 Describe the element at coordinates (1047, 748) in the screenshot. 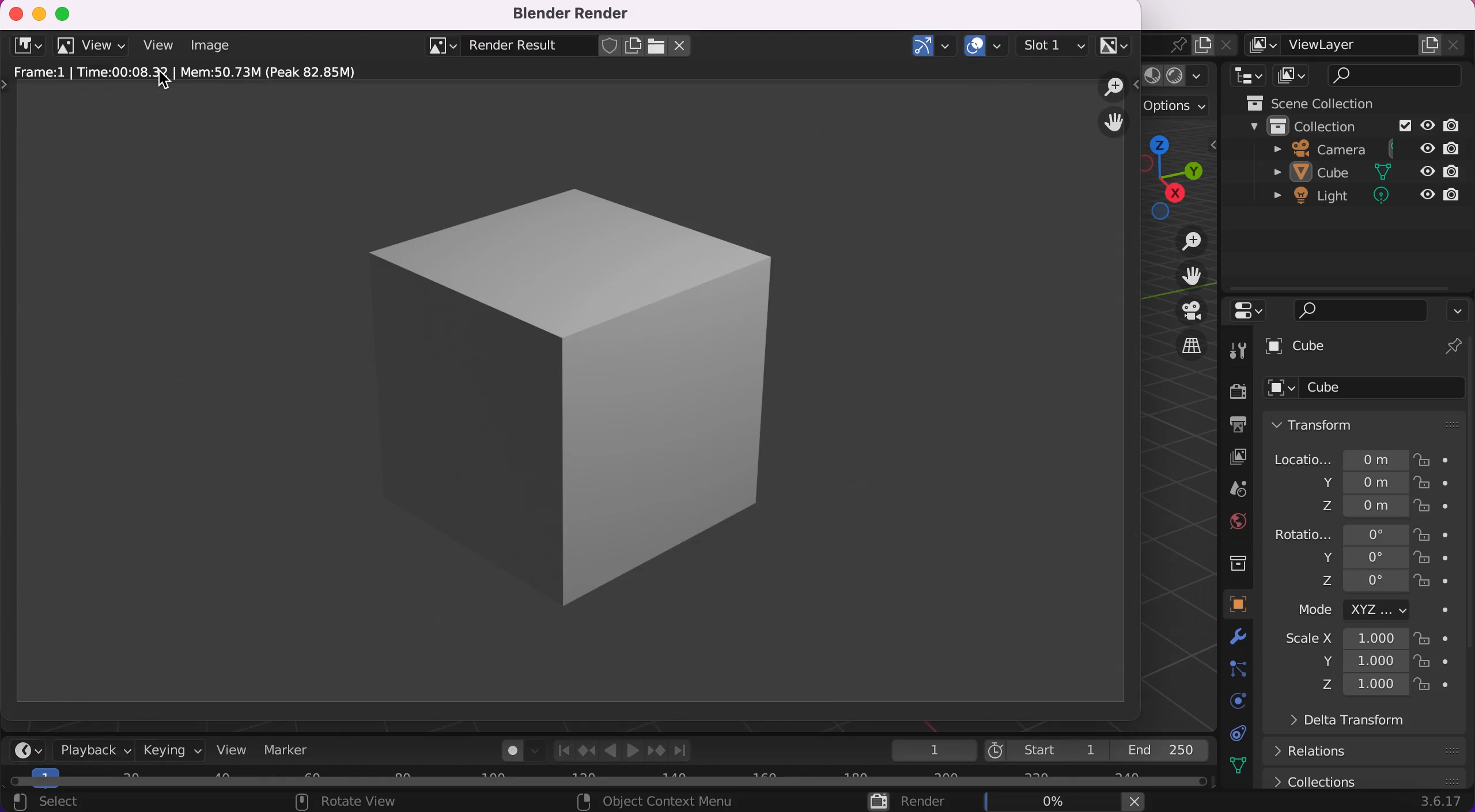

I see `start 1` at that location.